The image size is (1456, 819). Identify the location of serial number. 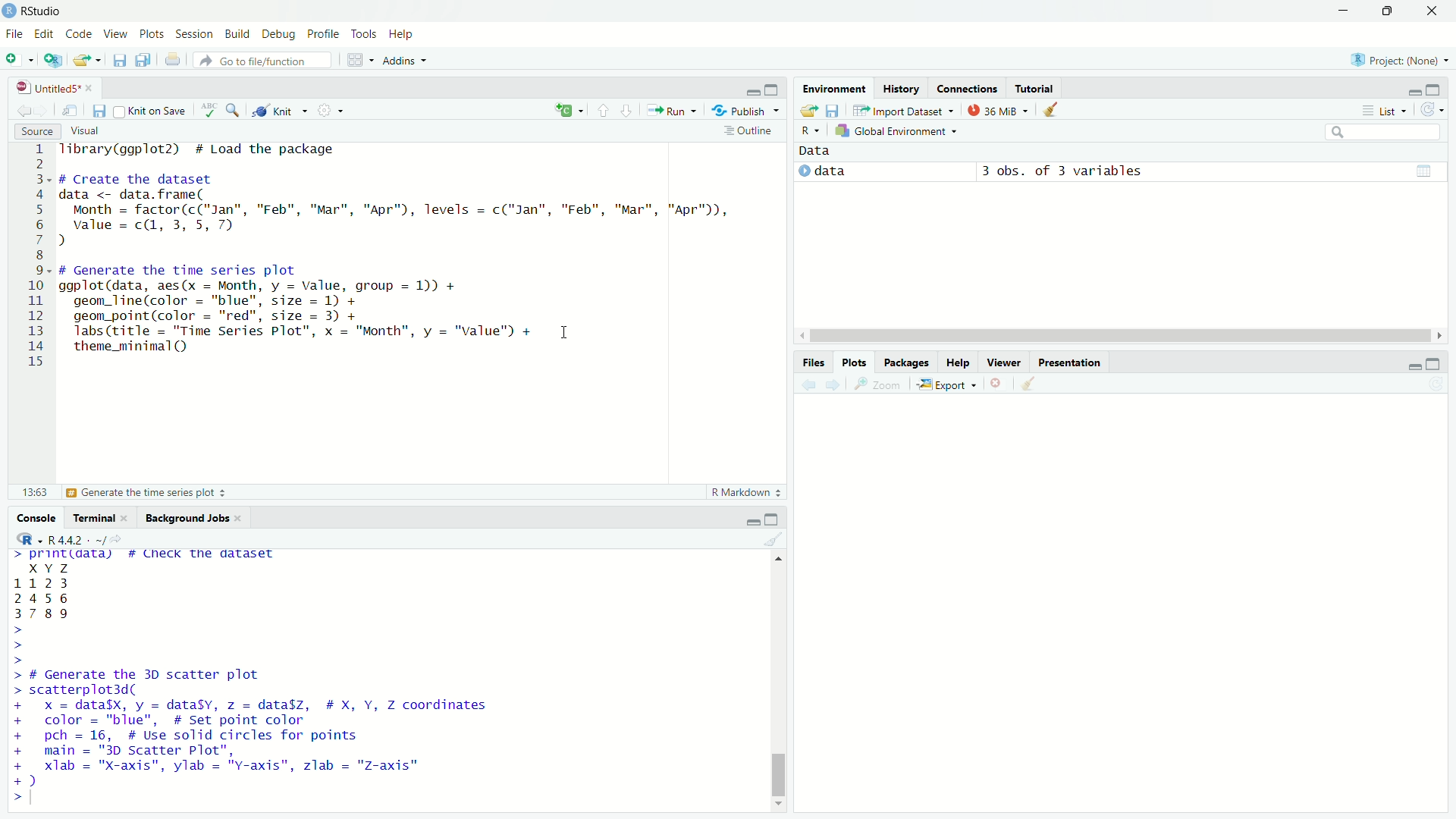
(35, 256).